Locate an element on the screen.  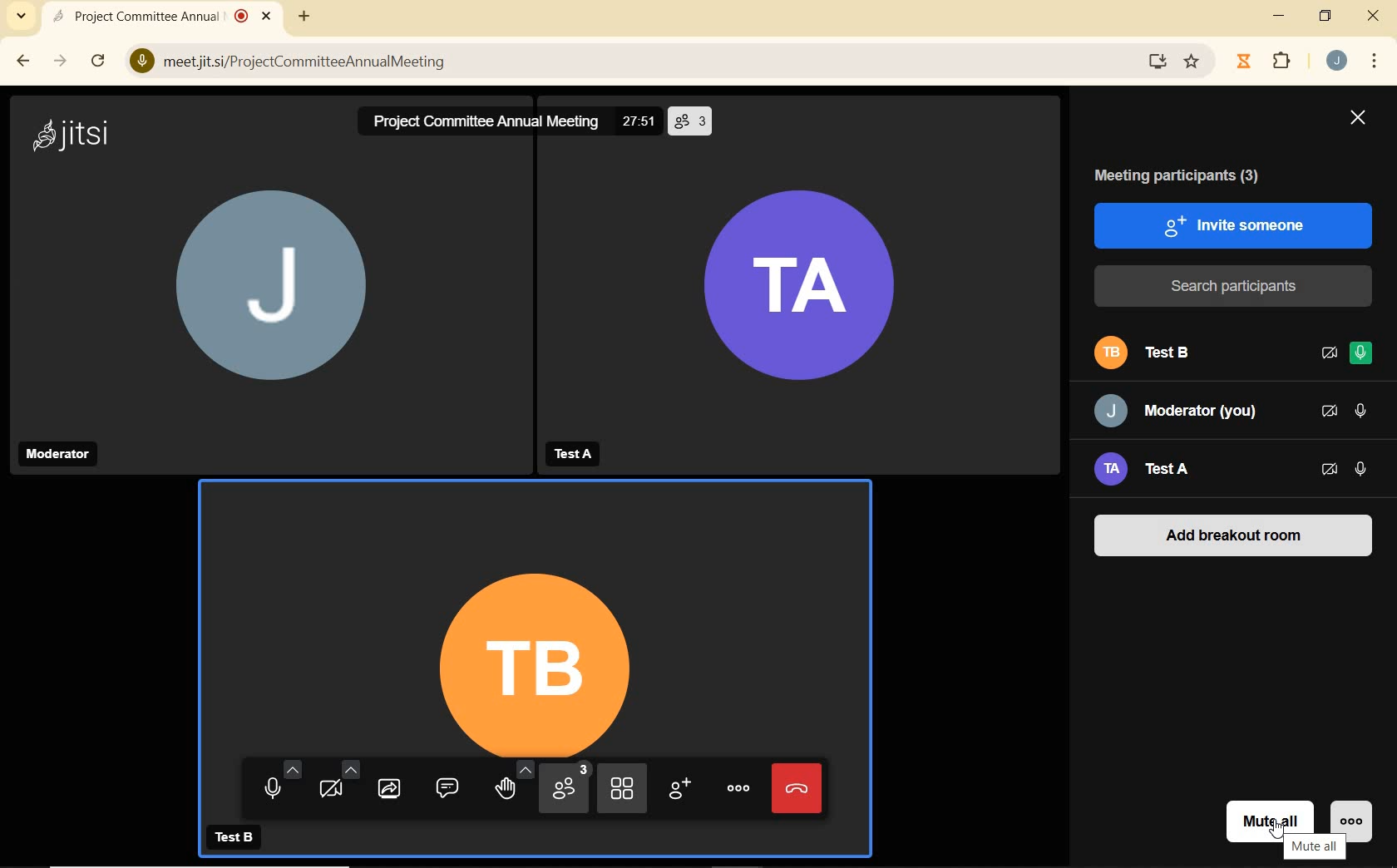
CAMERA is located at coordinates (1329, 412).